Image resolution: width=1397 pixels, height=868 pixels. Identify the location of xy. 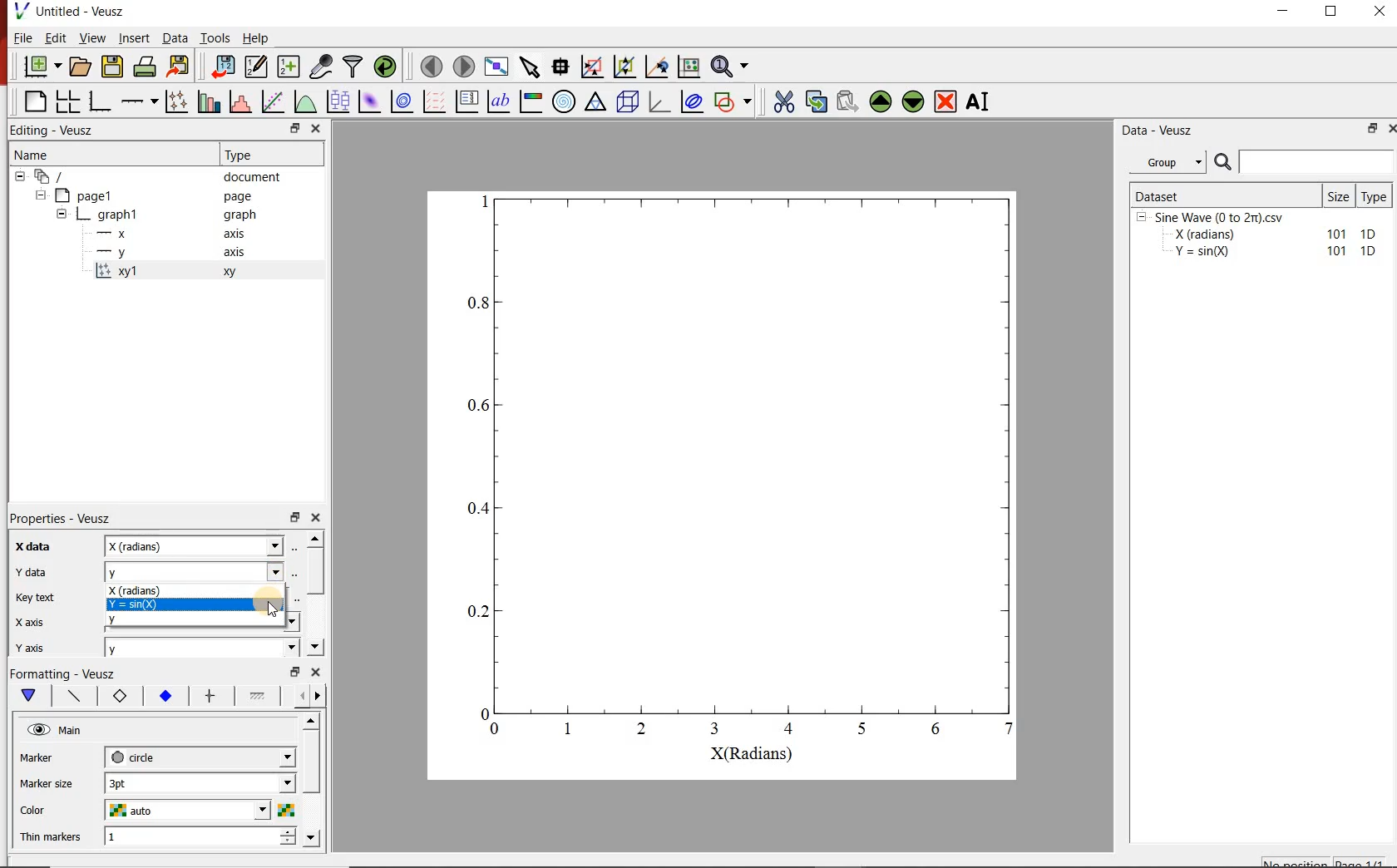
(116, 696).